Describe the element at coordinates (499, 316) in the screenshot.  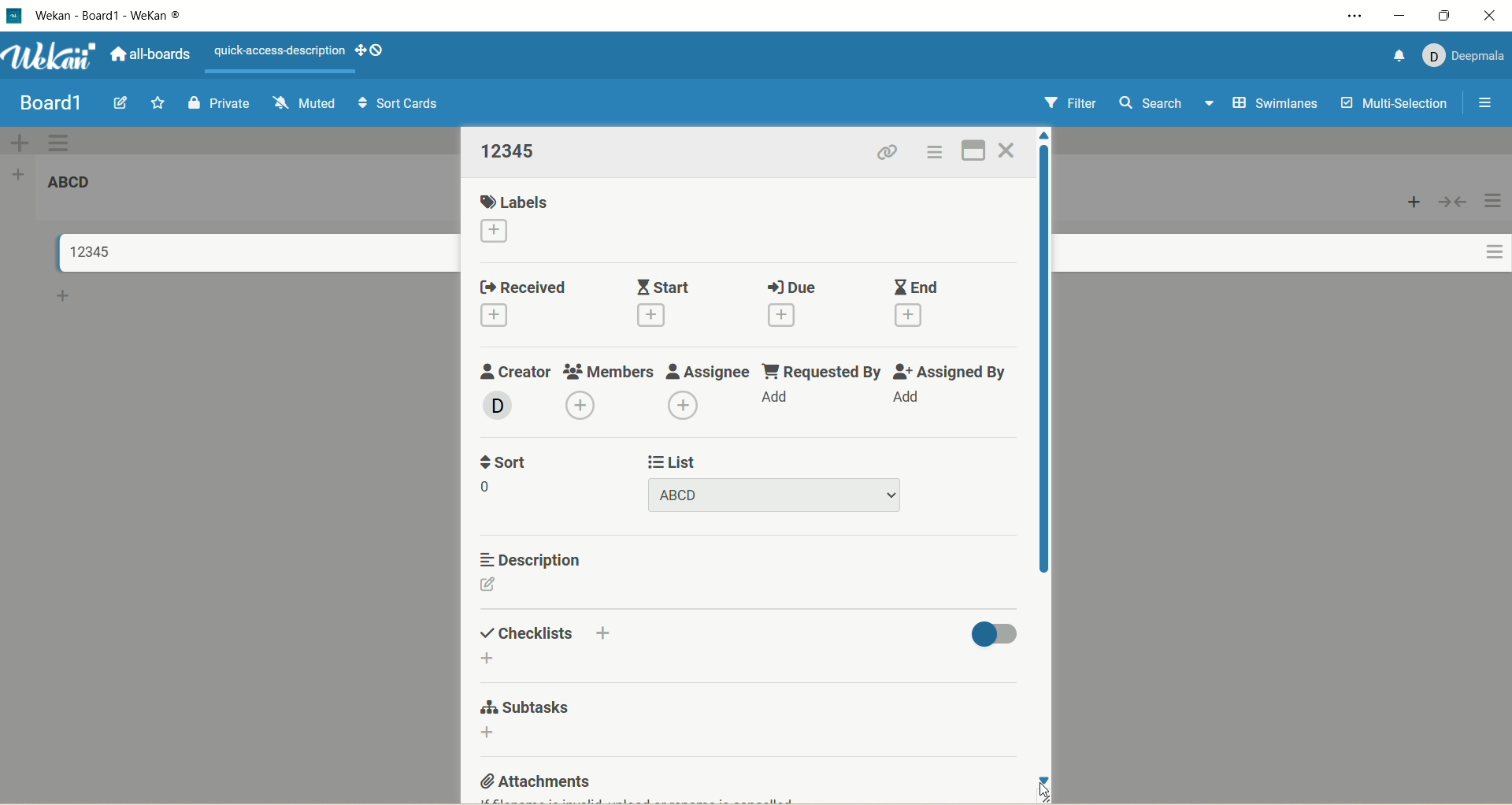
I see `add` at that location.